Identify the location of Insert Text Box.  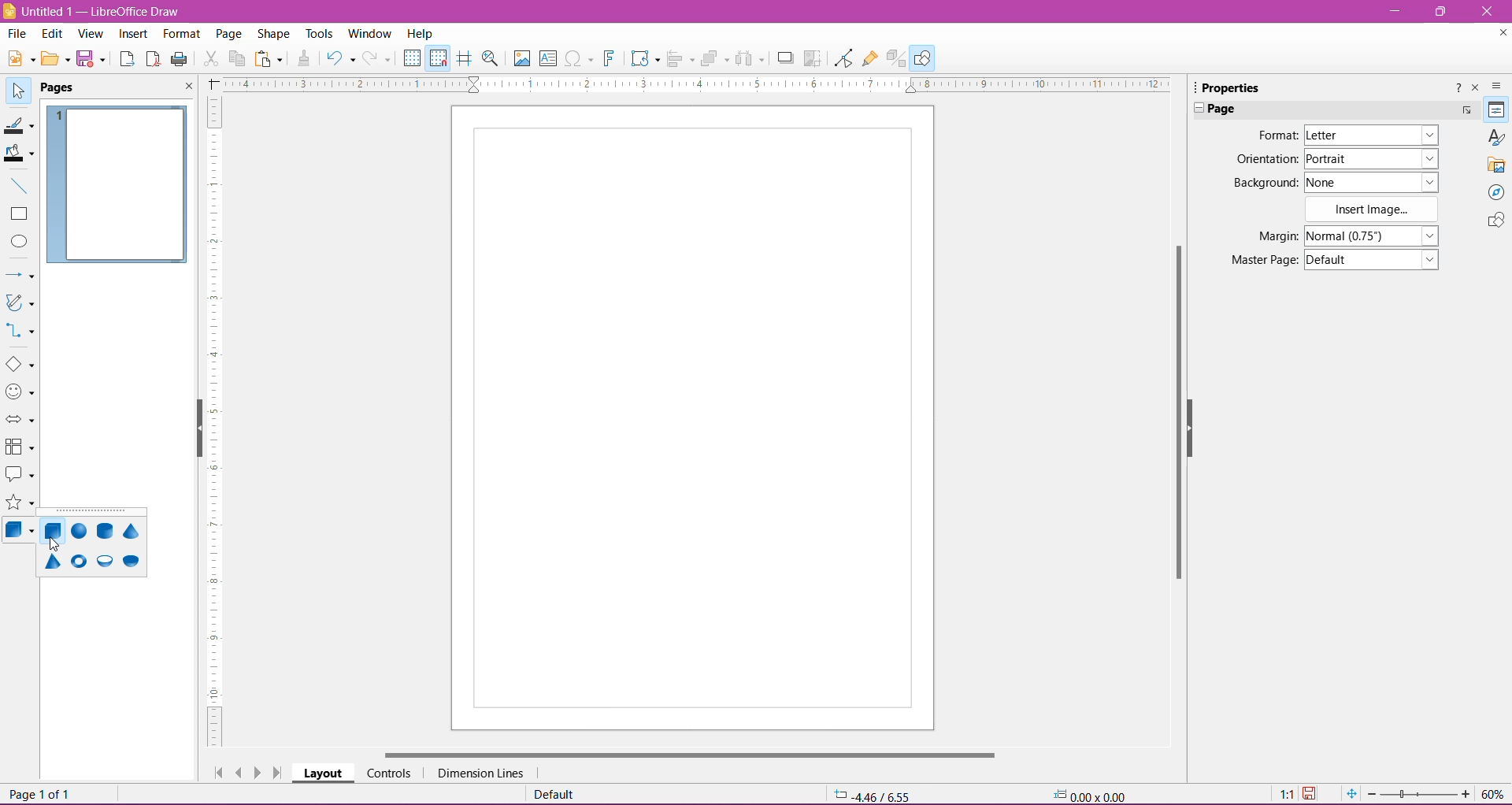
(548, 57).